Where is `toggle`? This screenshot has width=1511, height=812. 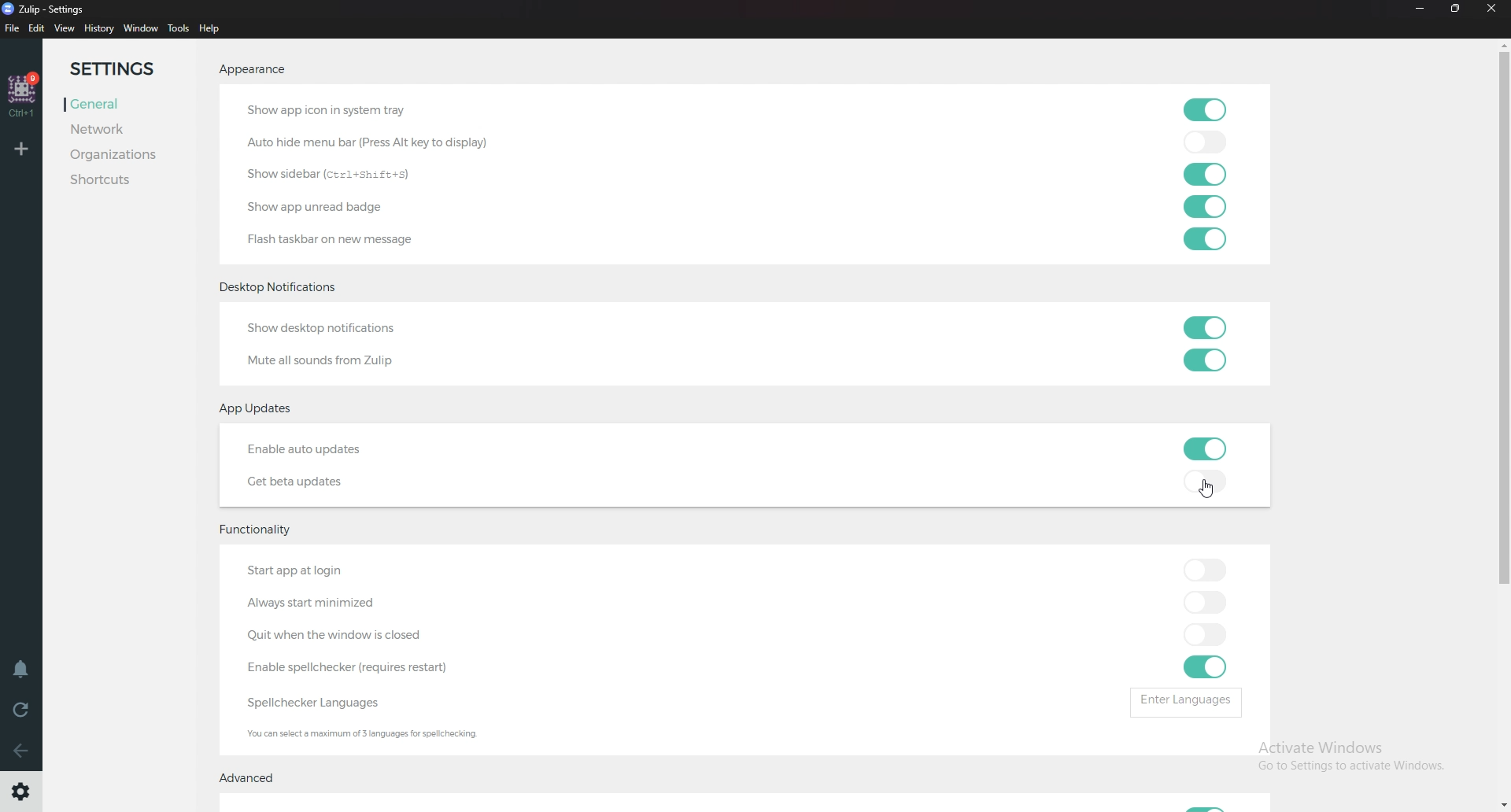 toggle is located at coordinates (1202, 360).